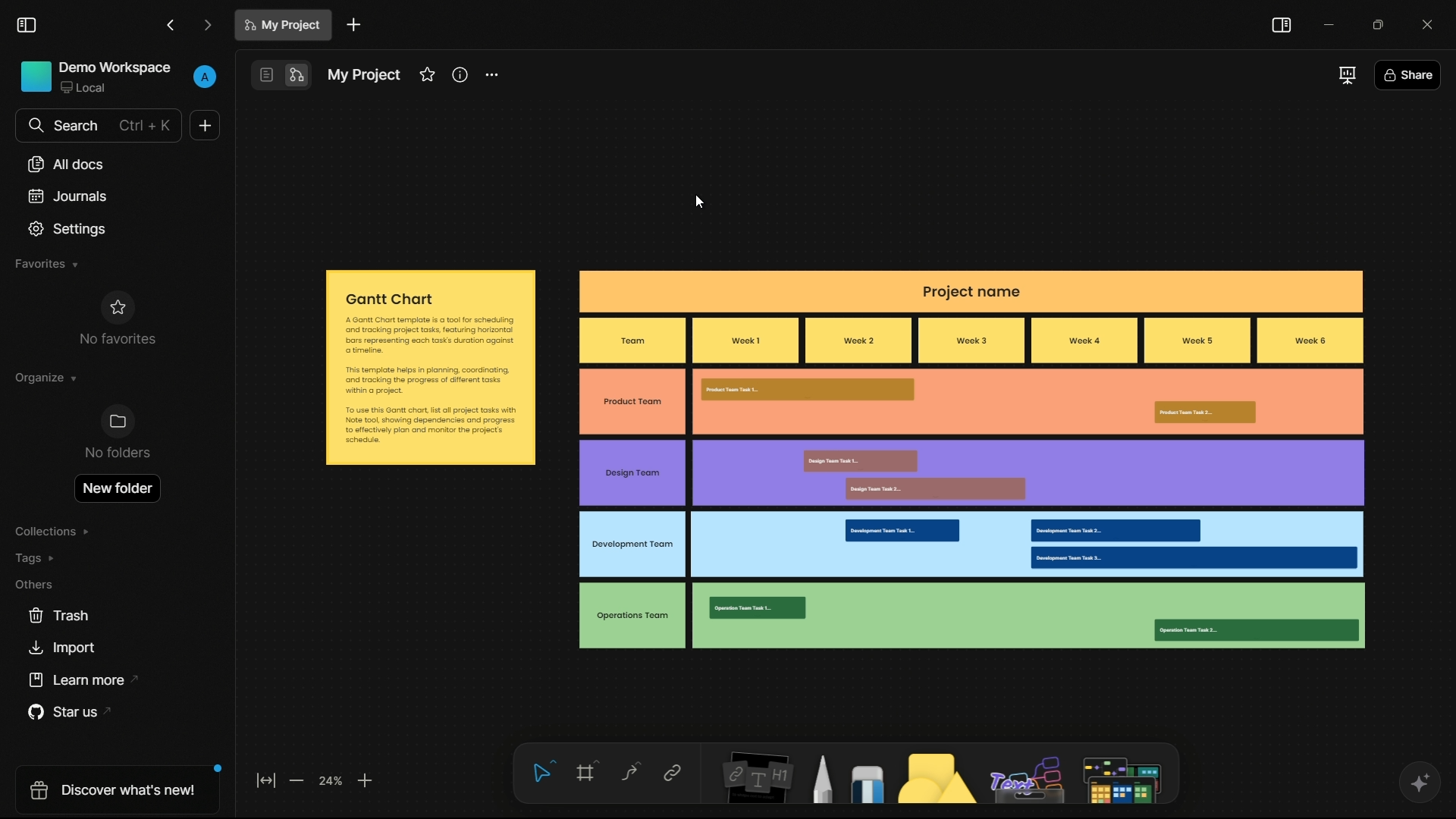 Image resolution: width=1456 pixels, height=819 pixels. I want to click on cursor, so click(698, 201).